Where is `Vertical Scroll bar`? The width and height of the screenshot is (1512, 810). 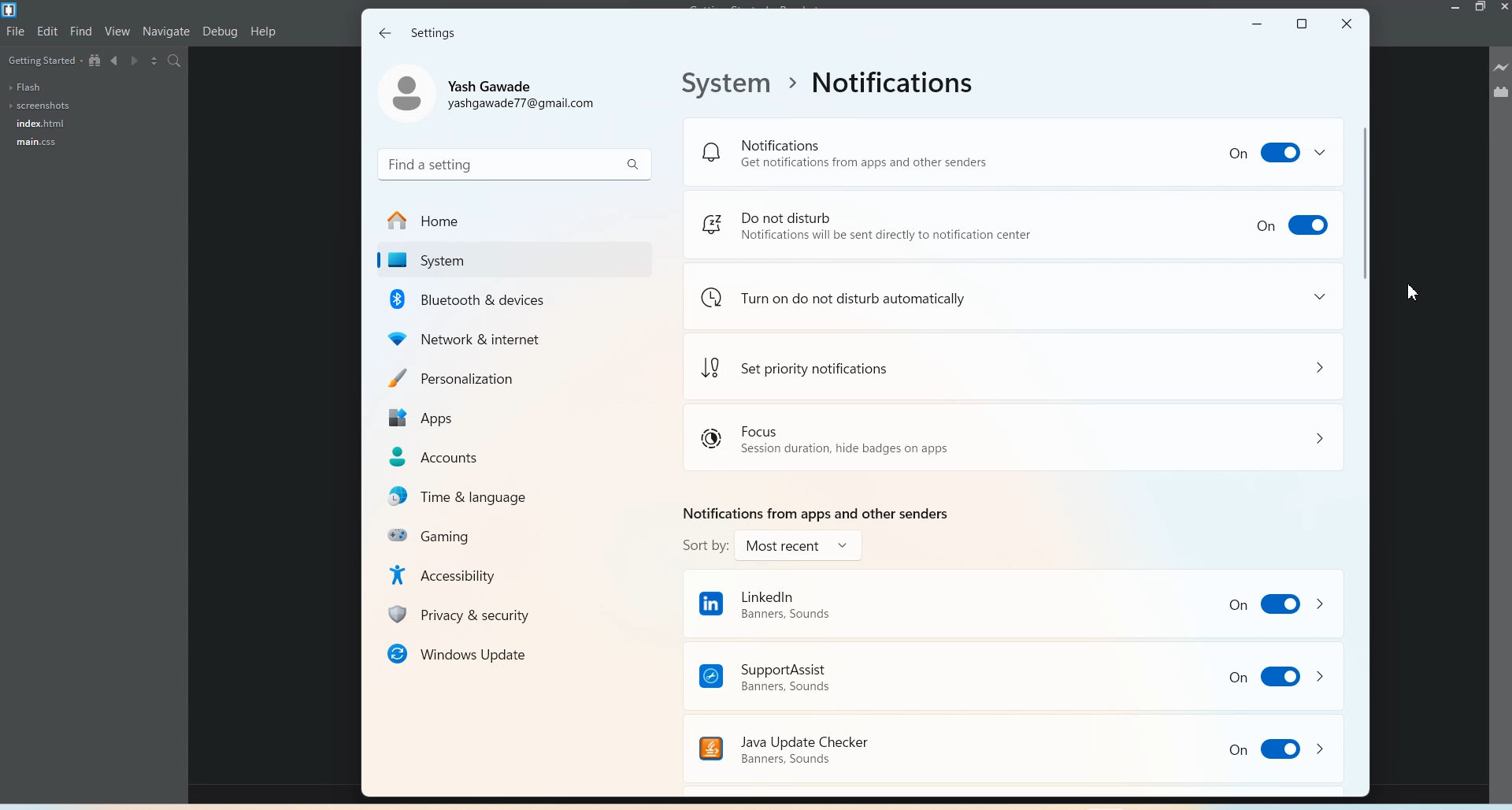
Vertical Scroll bar is located at coordinates (1362, 412).